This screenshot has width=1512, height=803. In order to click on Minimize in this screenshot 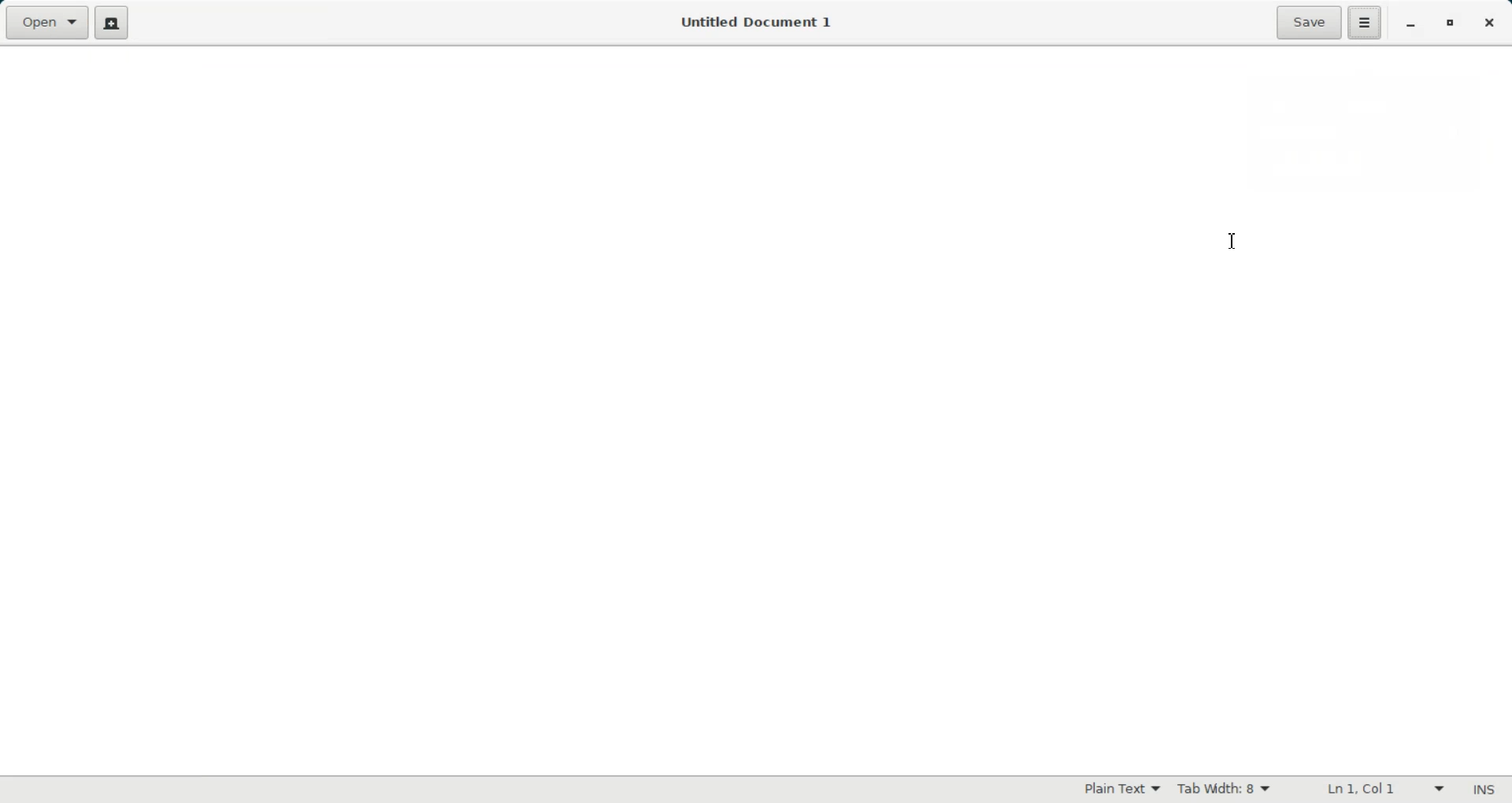, I will do `click(1412, 24)`.